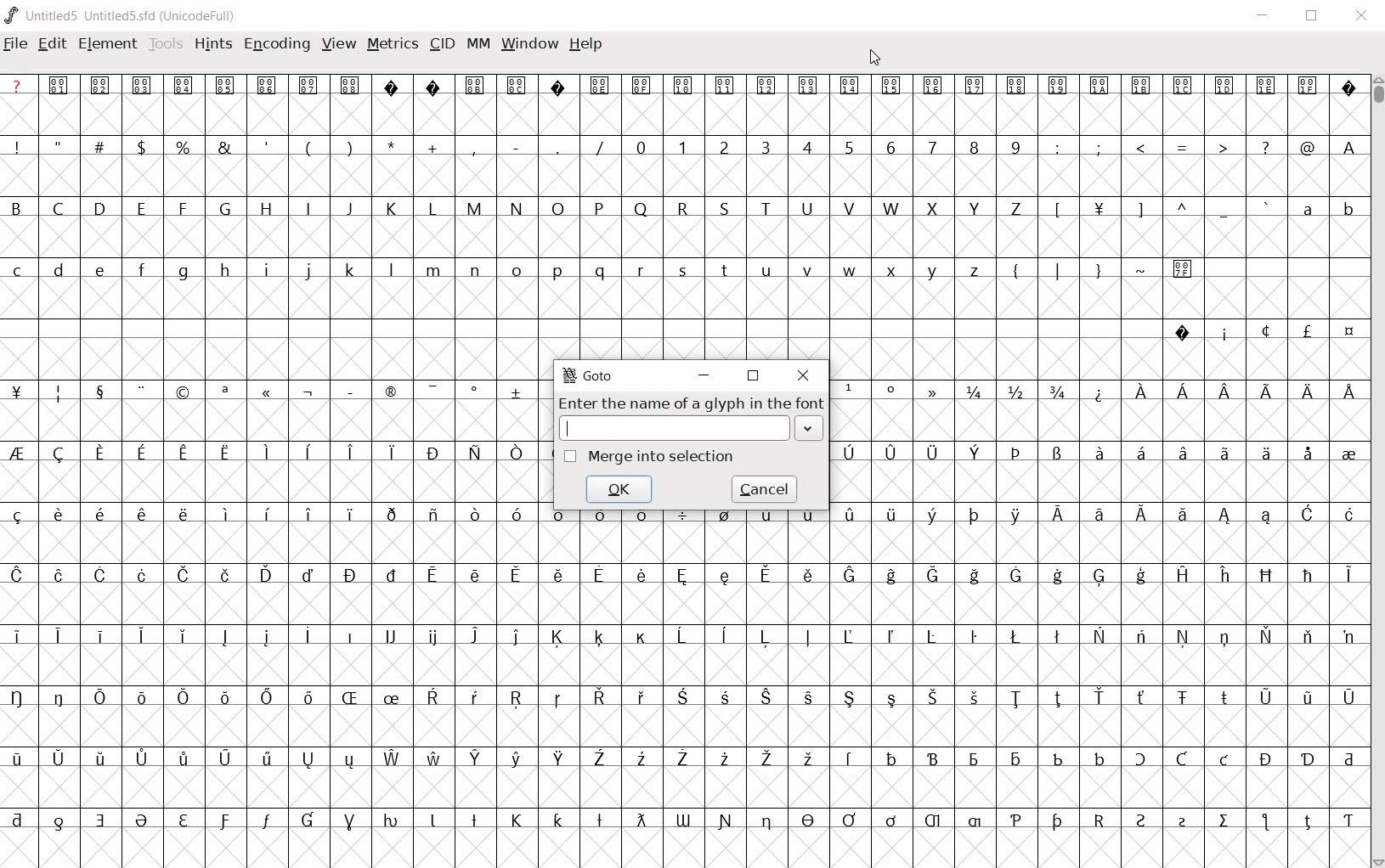  Describe the element at coordinates (1138, 453) in the screenshot. I see `Symbol` at that location.